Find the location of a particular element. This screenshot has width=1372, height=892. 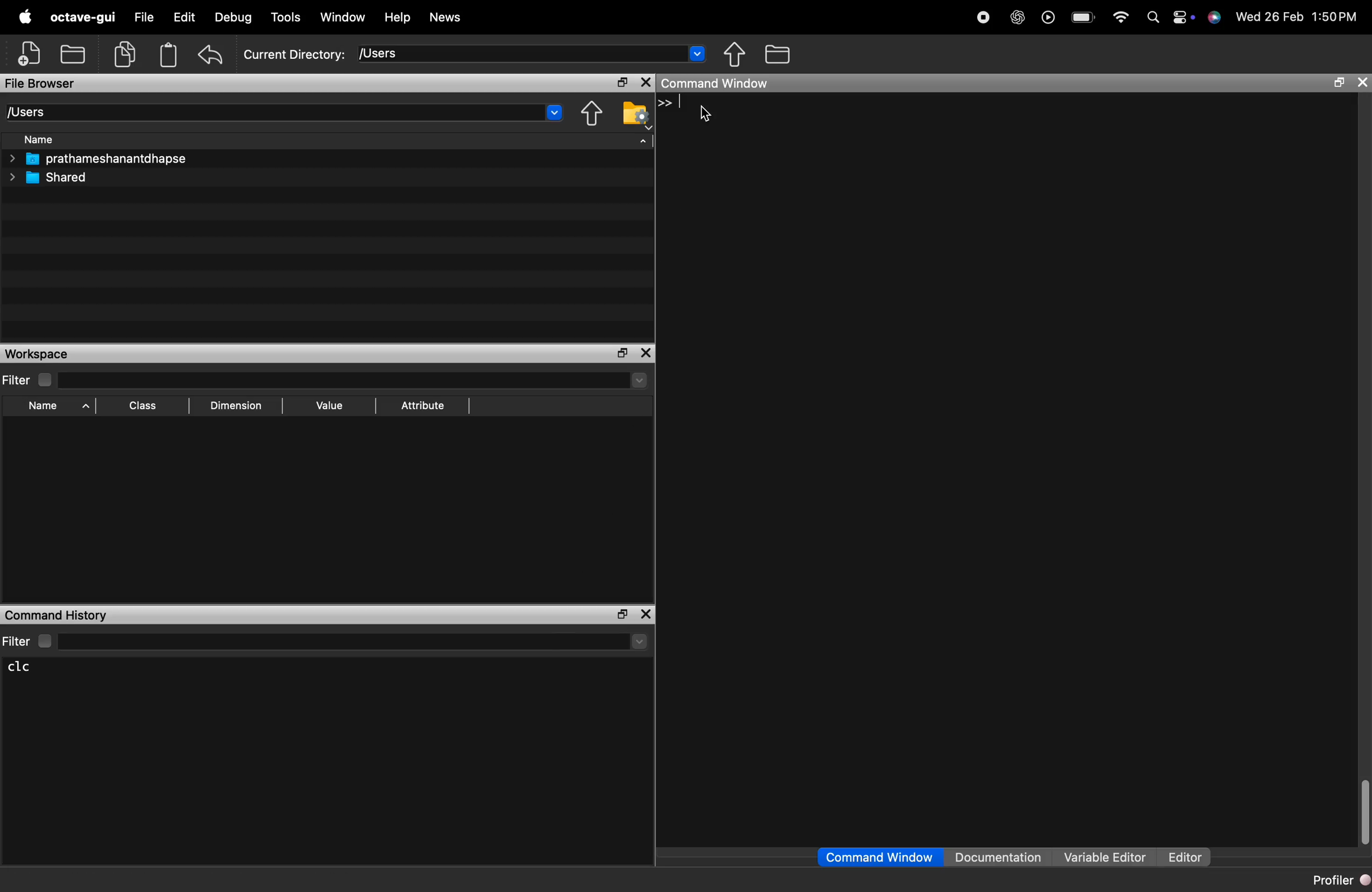

close is located at coordinates (1361, 84).